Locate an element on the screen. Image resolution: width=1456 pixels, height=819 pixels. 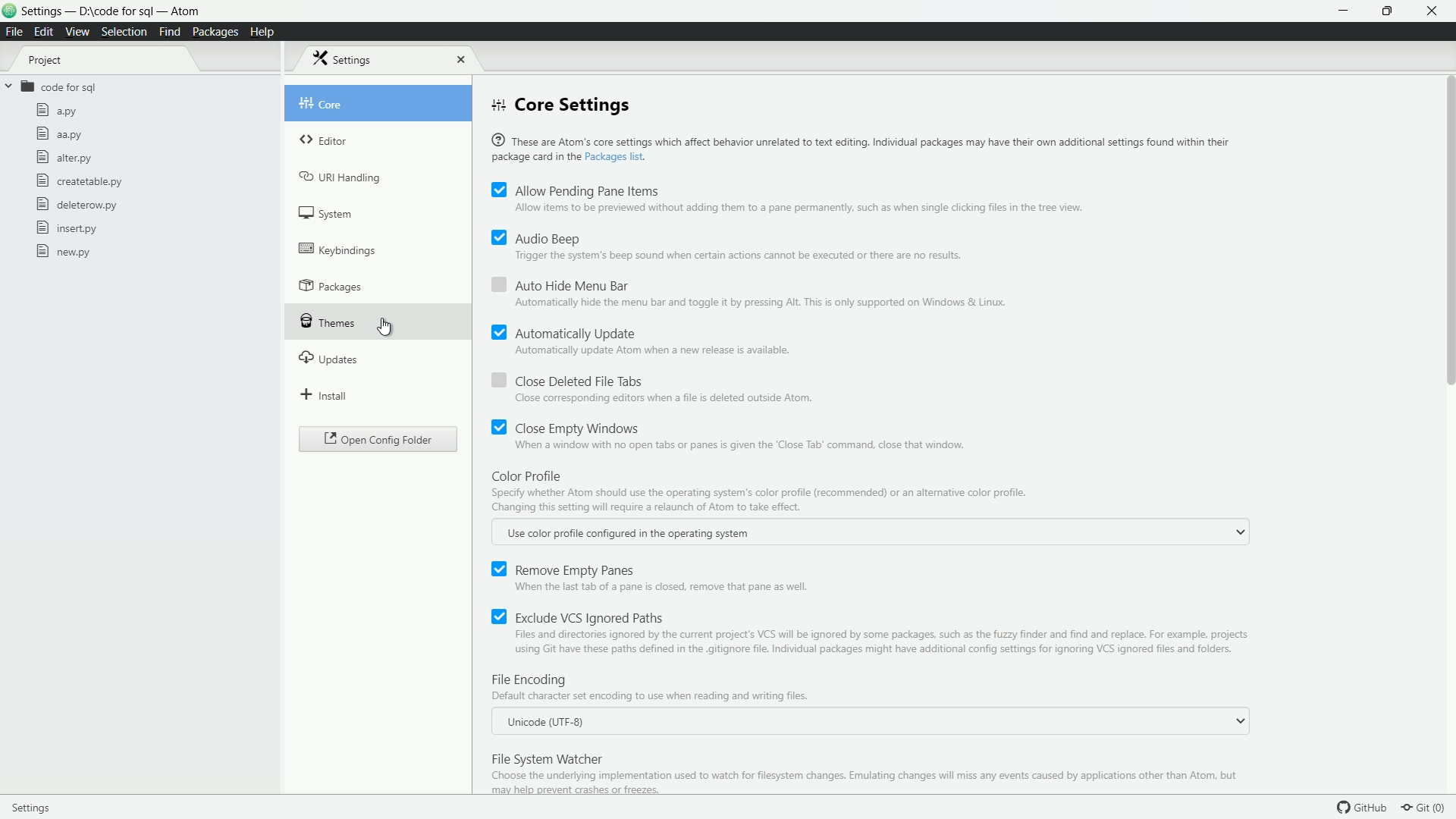
themes is located at coordinates (327, 319).